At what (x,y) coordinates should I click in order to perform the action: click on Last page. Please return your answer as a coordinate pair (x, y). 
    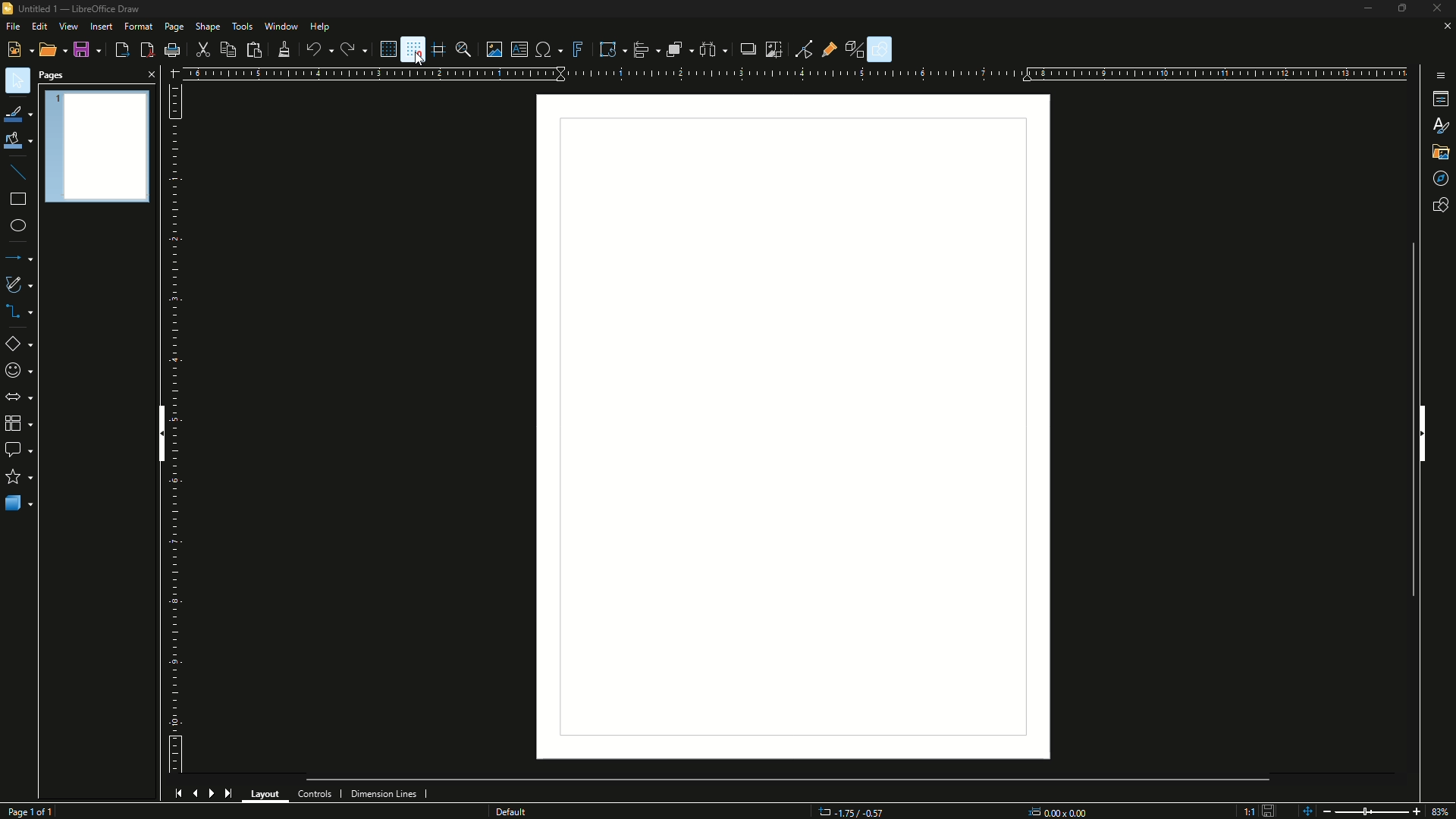
    Looking at the image, I should click on (231, 794).